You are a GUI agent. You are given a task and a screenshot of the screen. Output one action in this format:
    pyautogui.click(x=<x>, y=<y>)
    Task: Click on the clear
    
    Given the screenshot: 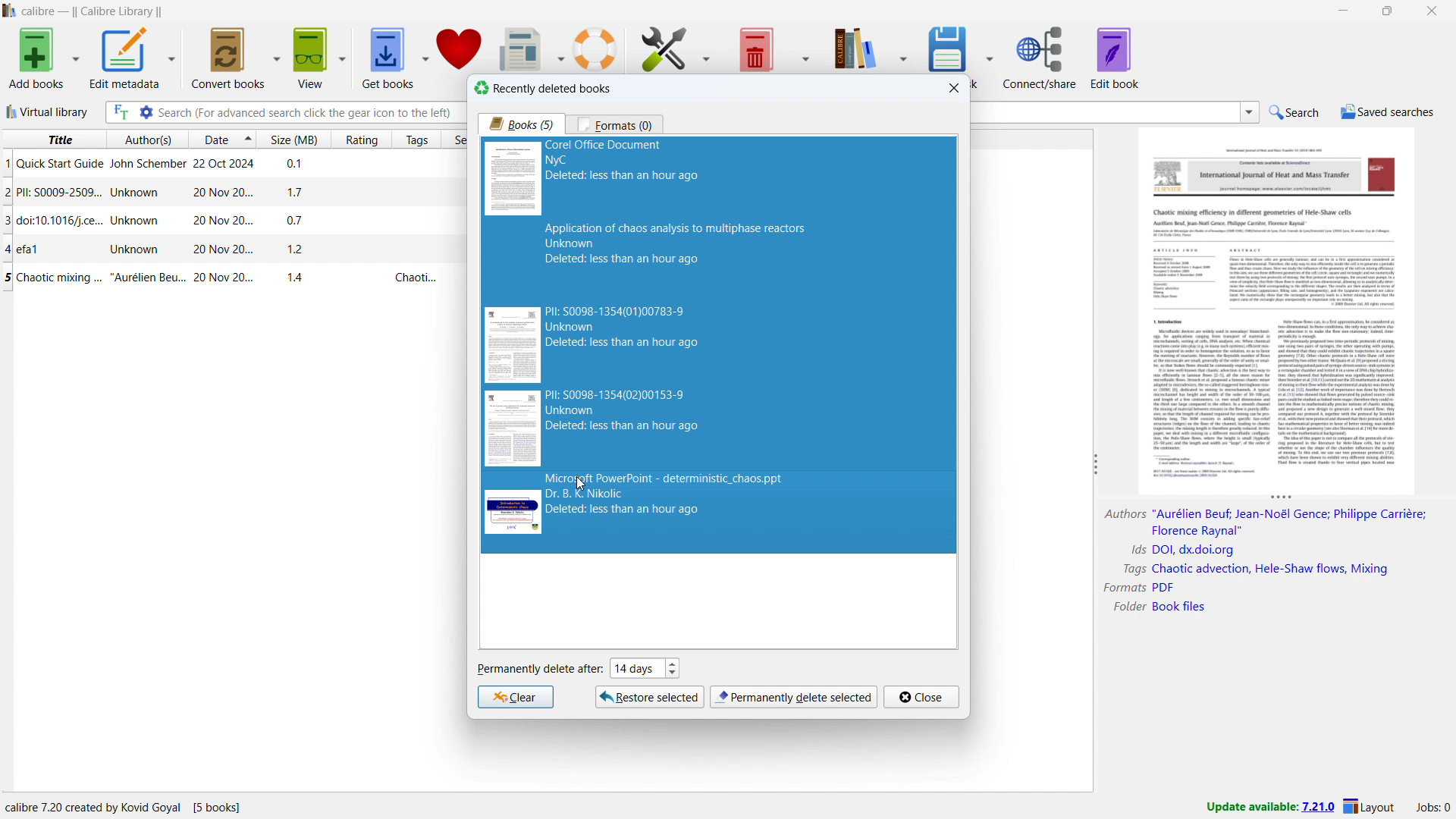 What is the action you would take?
    pyautogui.click(x=515, y=697)
    